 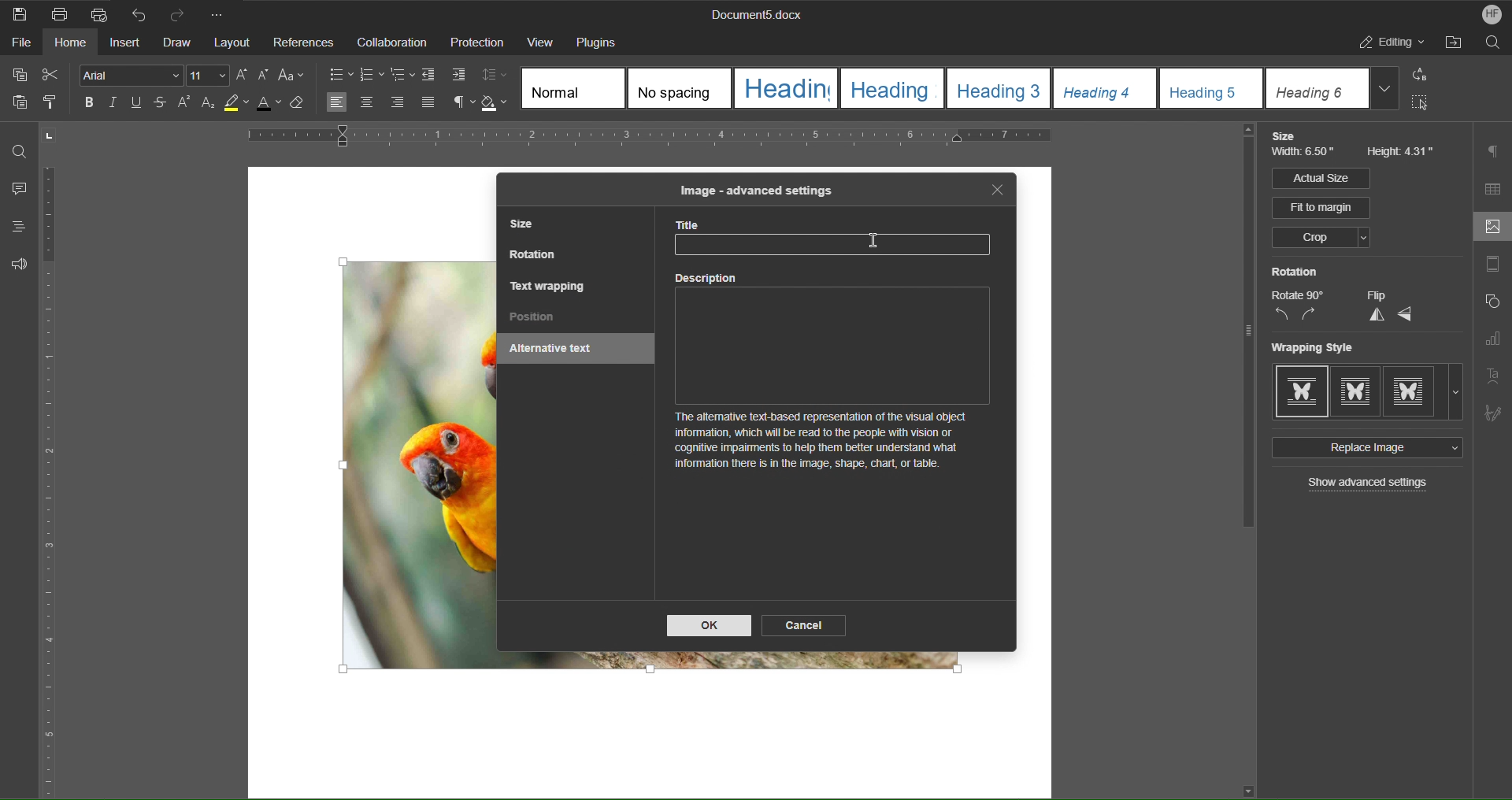 I want to click on Strikethrough, so click(x=161, y=105).